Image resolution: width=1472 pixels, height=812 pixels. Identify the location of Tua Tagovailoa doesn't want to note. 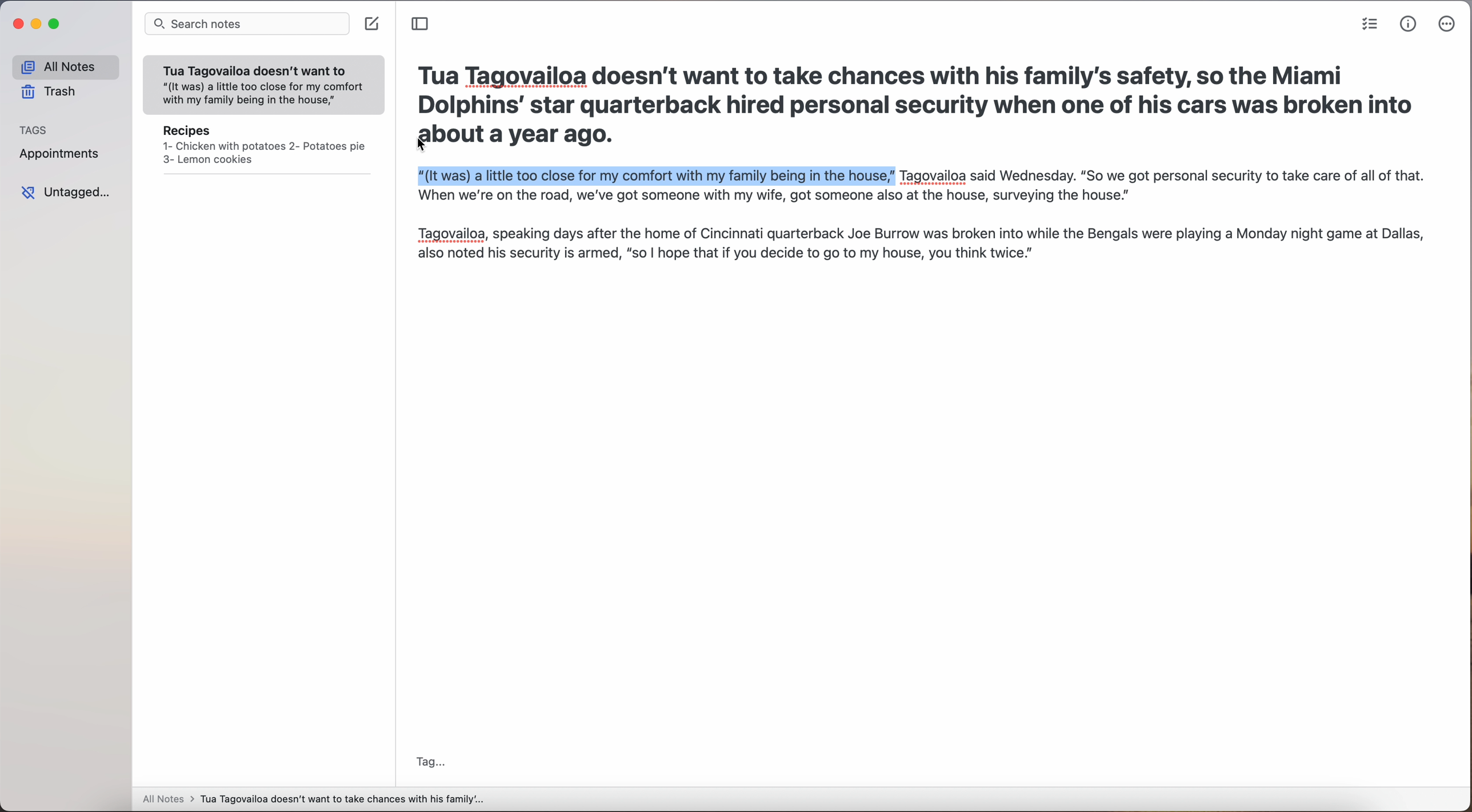
(264, 86).